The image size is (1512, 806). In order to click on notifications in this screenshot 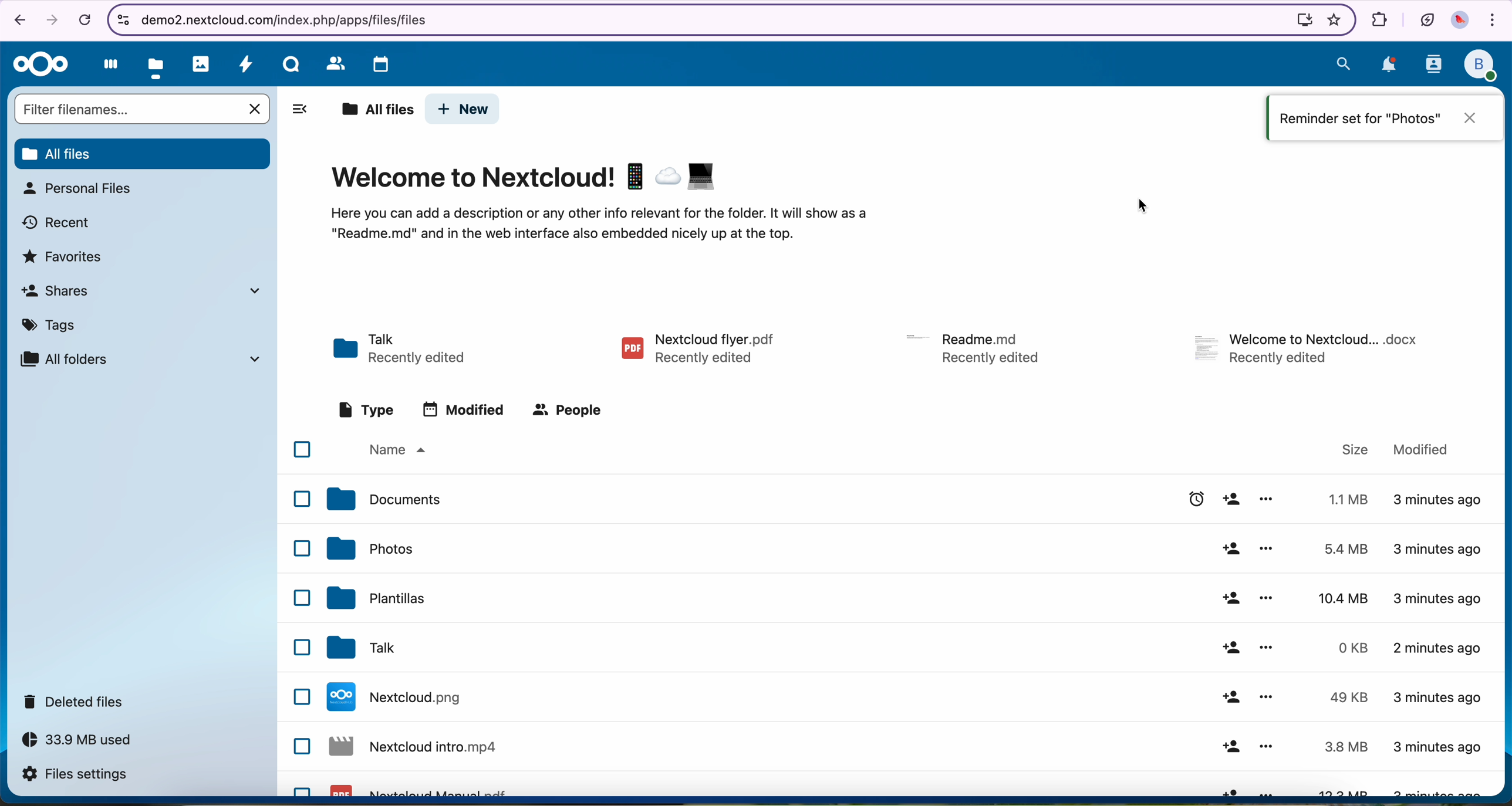, I will do `click(1388, 66)`.